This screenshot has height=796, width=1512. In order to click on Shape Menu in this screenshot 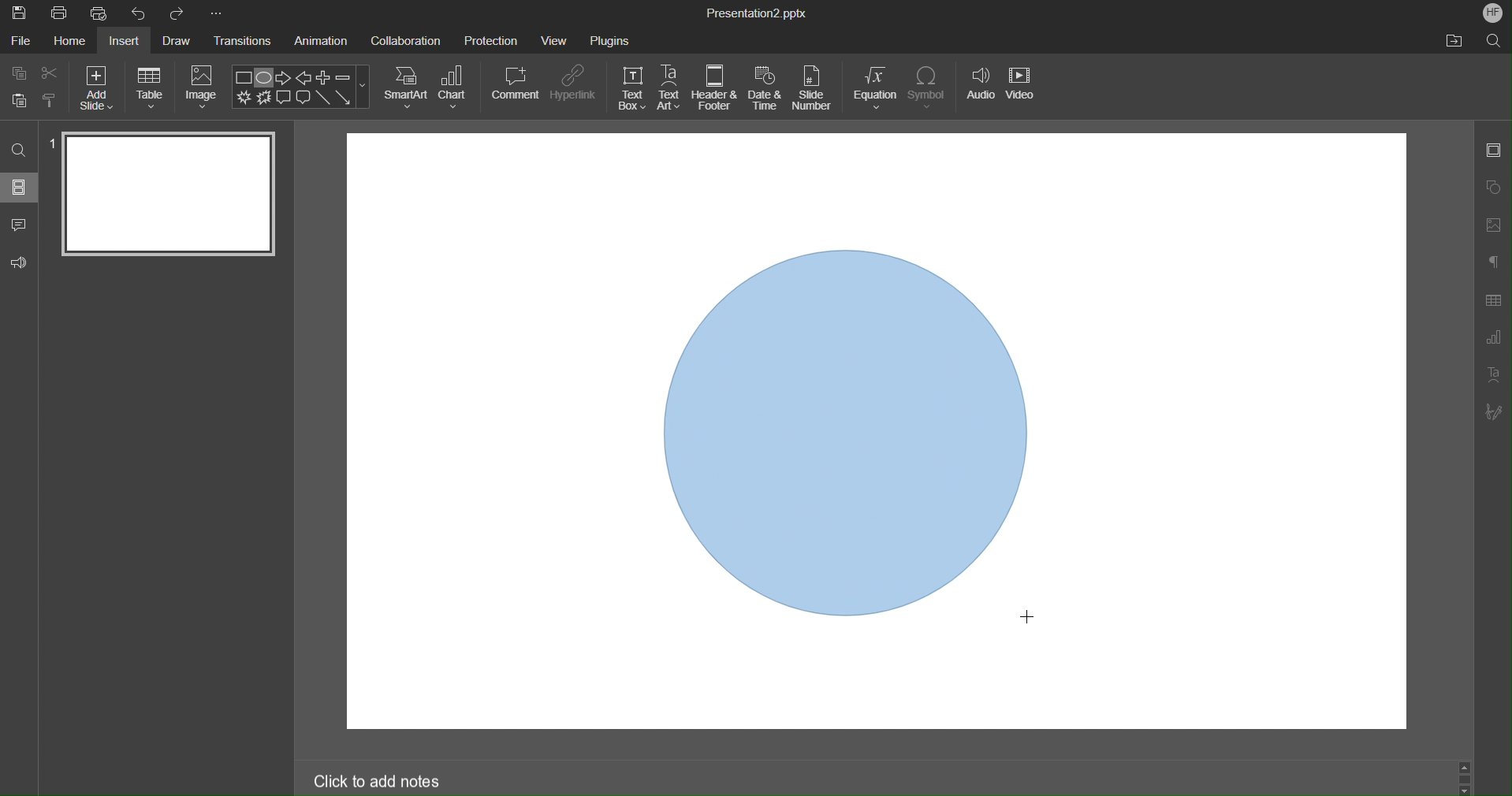, I will do `click(300, 87)`.